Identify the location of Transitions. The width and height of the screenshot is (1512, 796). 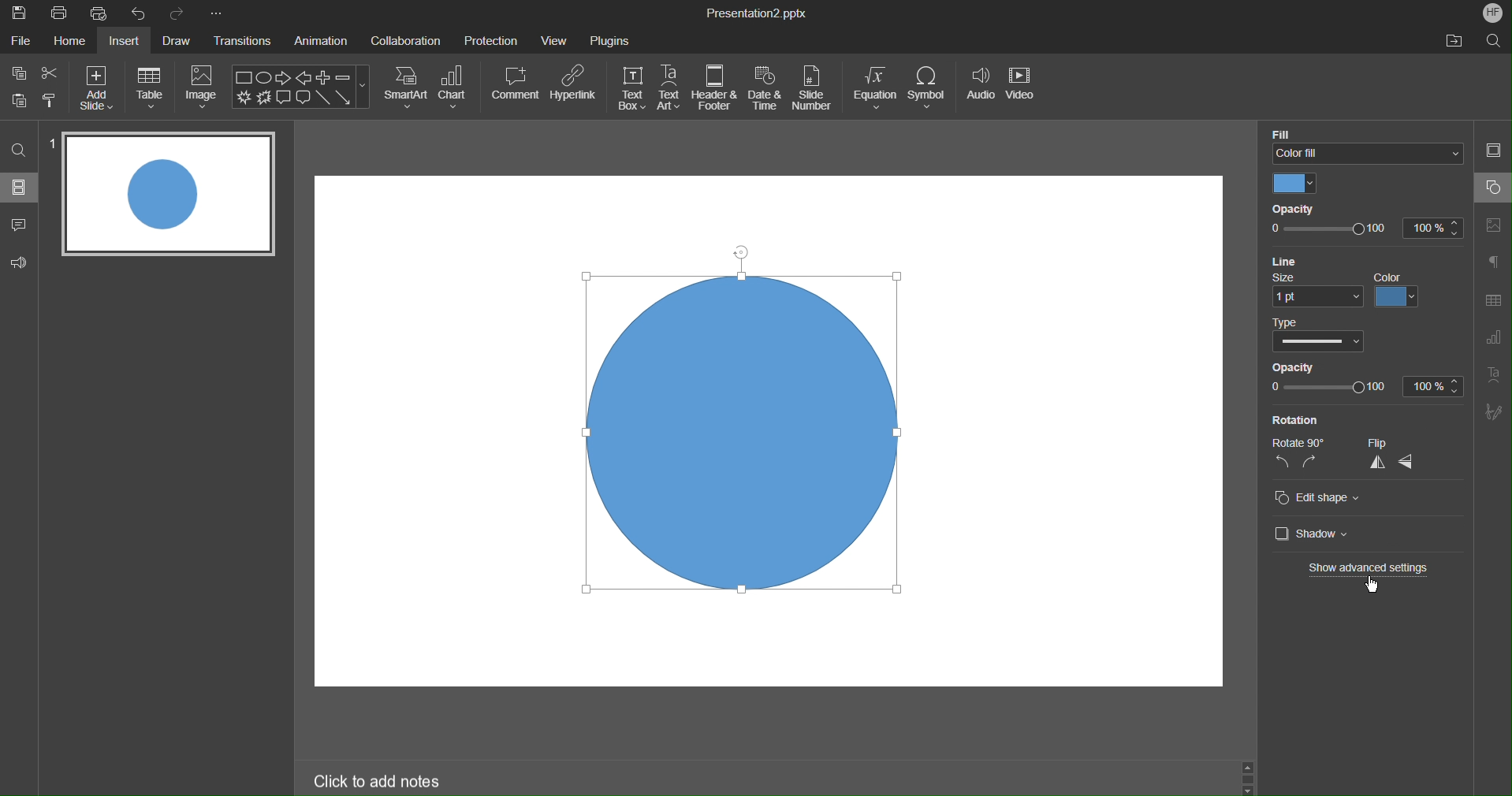
(244, 43).